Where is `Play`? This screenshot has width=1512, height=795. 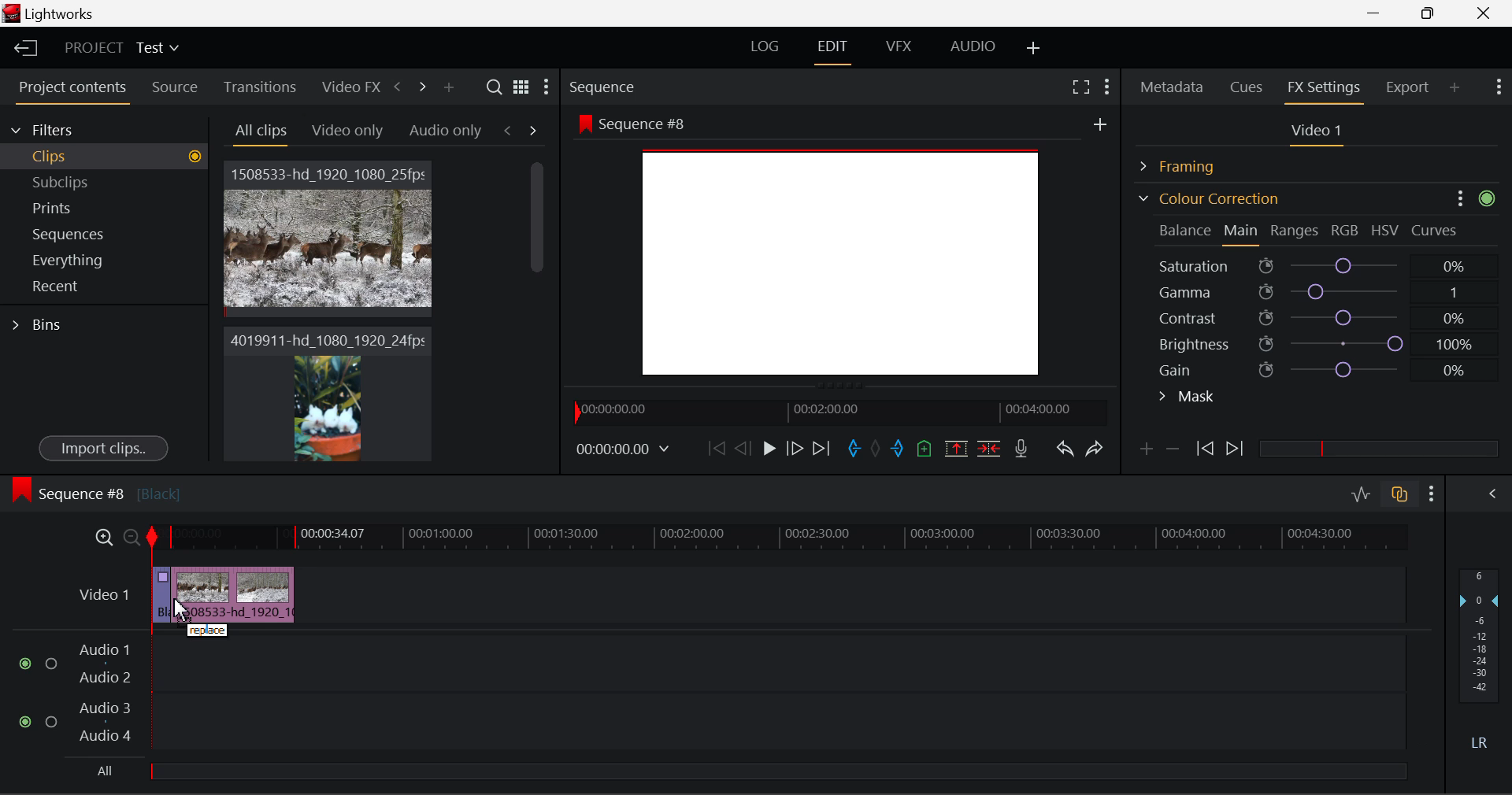
Play is located at coordinates (767, 449).